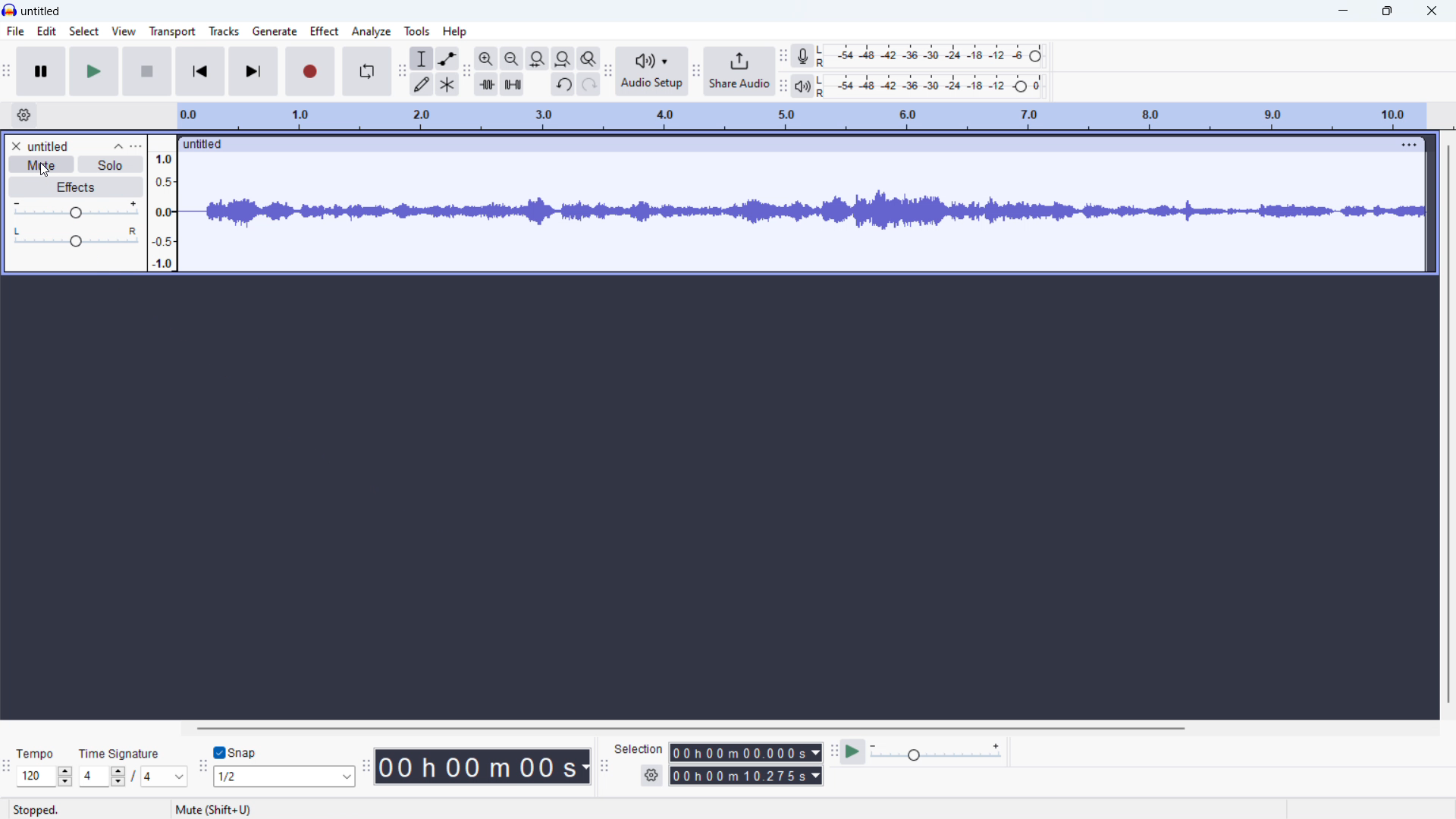  Describe the element at coordinates (639, 748) in the screenshot. I see `selection` at that location.